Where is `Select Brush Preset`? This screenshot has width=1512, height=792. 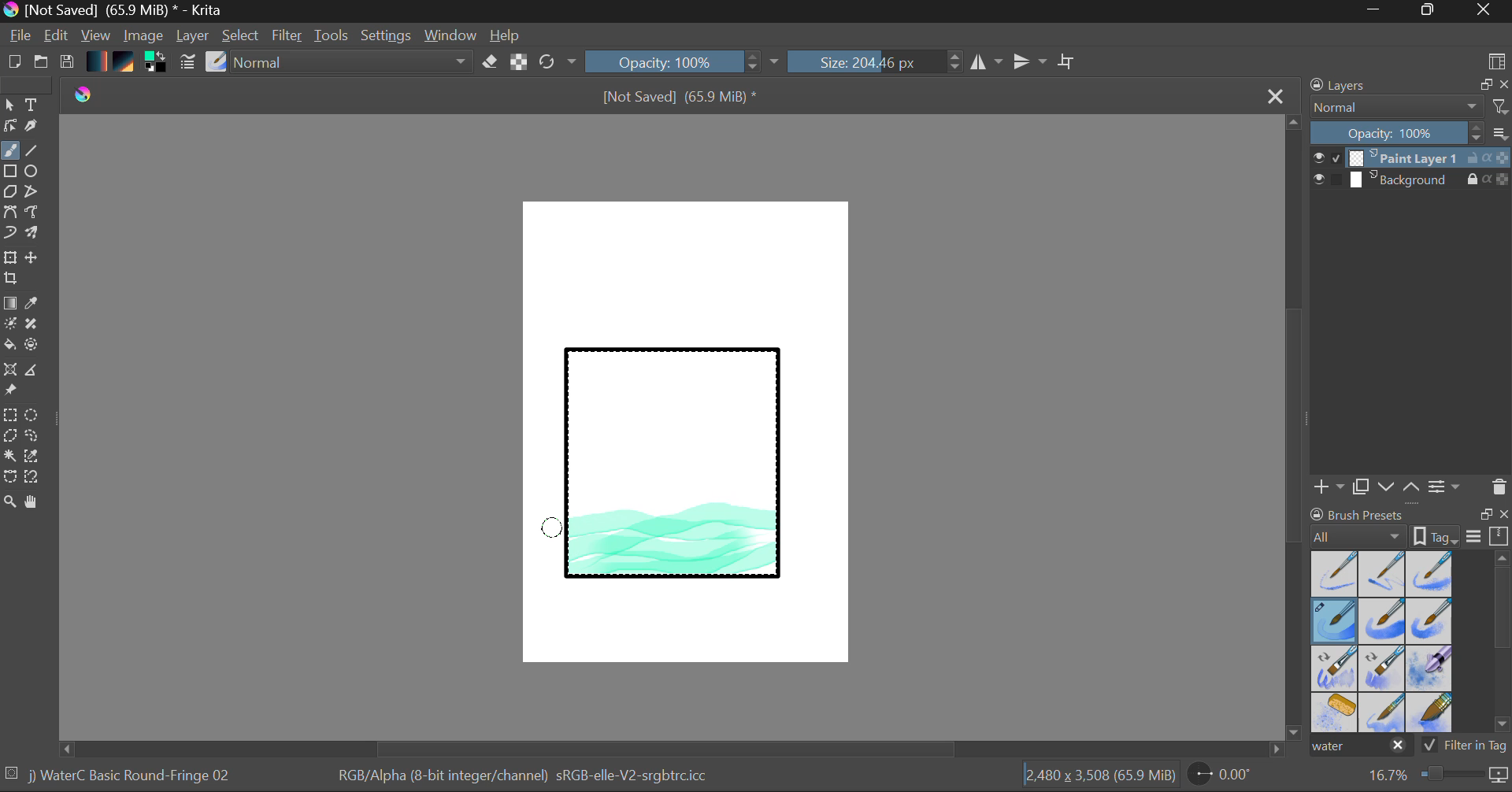 Select Brush Preset is located at coordinates (217, 62).